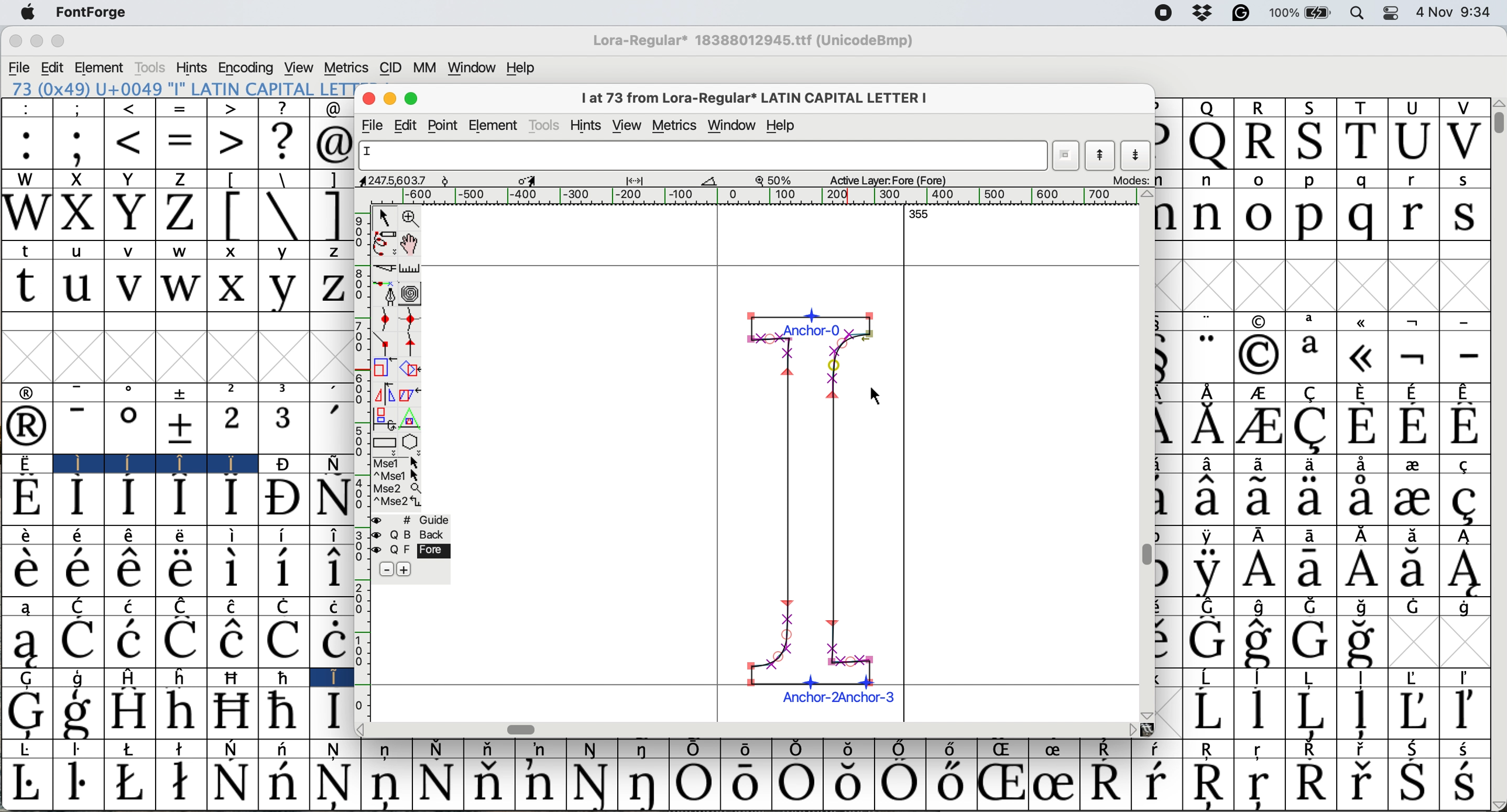 The height and width of the screenshot is (812, 1507). What do you see at coordinates (300, 67) in the screenshot?
I see `view` at bounding box center [300, 67].